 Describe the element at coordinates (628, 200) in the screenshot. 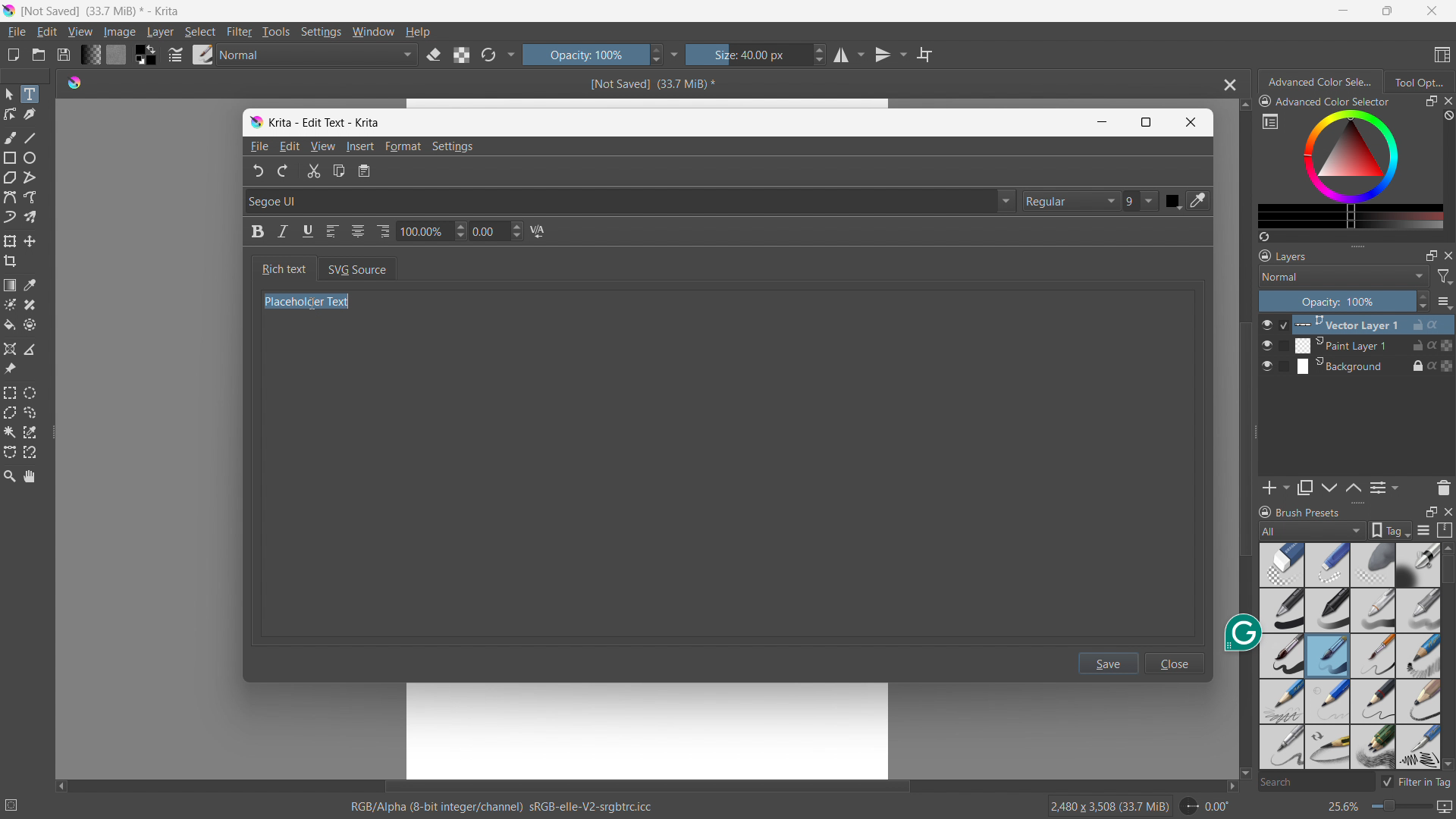

I see `Segoe UI` at that location.